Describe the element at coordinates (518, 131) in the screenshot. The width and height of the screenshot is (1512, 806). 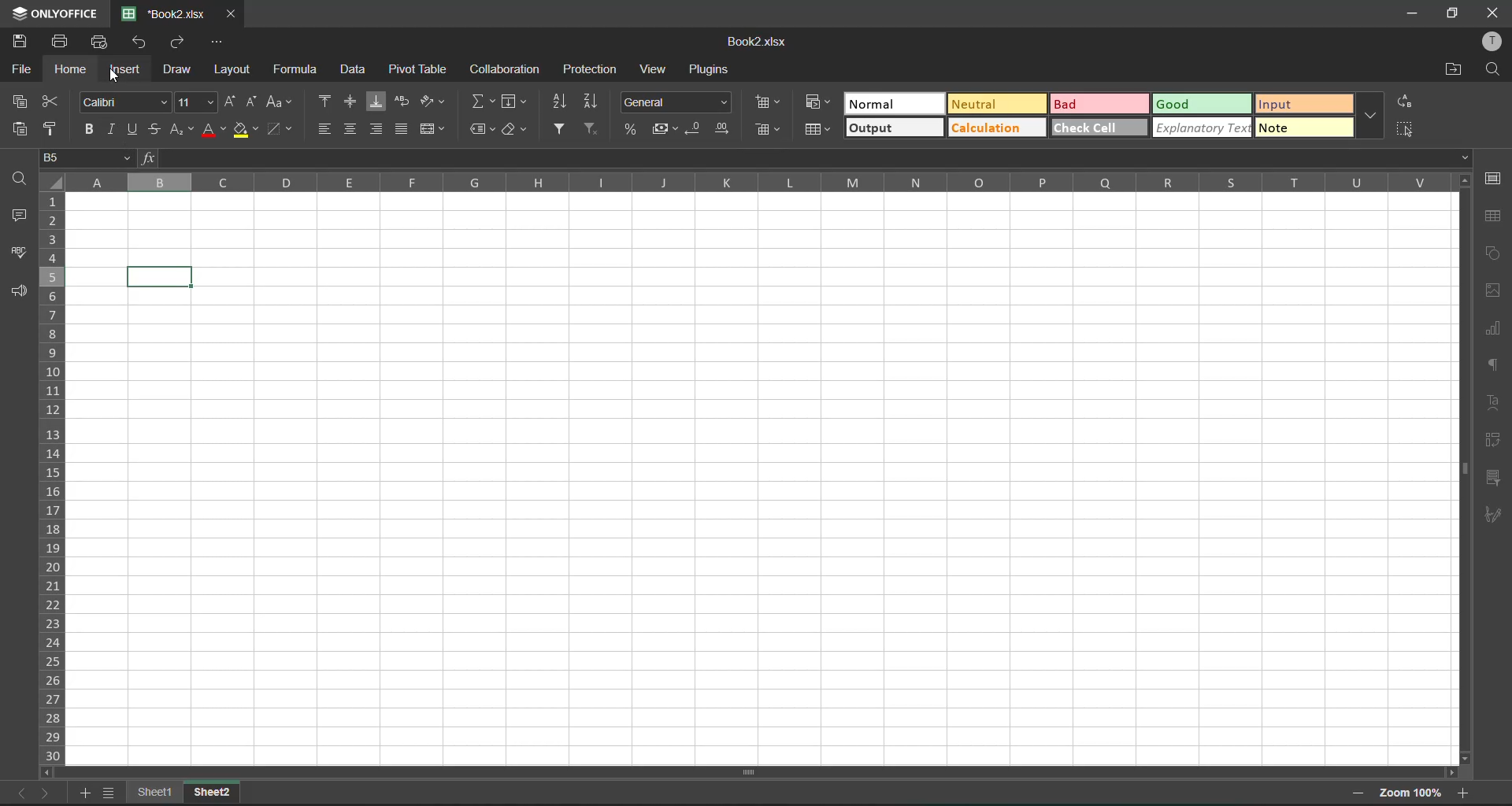
I see `clear ` at that location.